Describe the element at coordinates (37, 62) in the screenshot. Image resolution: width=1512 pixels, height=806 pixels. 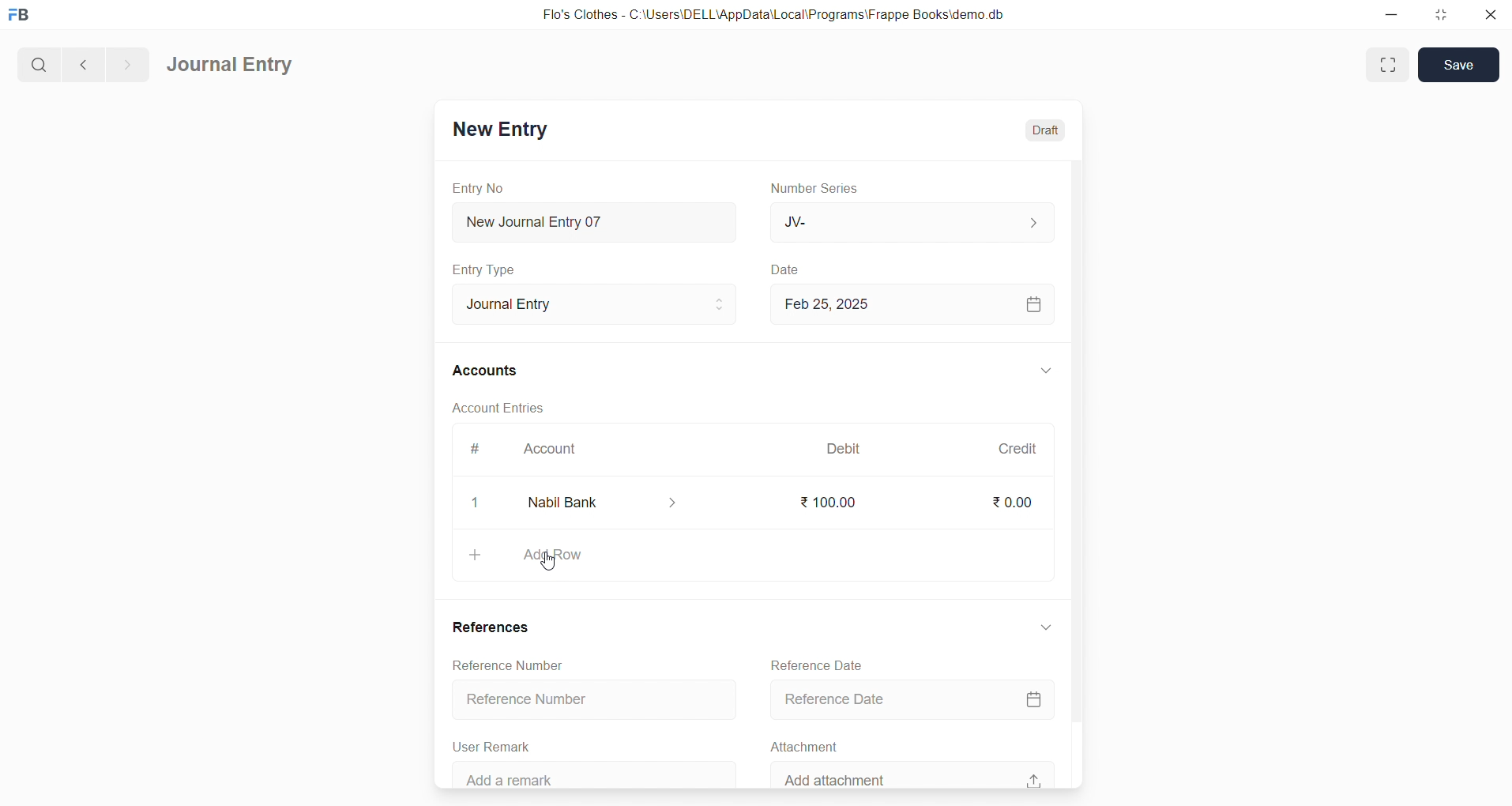
I see `search` at that location.